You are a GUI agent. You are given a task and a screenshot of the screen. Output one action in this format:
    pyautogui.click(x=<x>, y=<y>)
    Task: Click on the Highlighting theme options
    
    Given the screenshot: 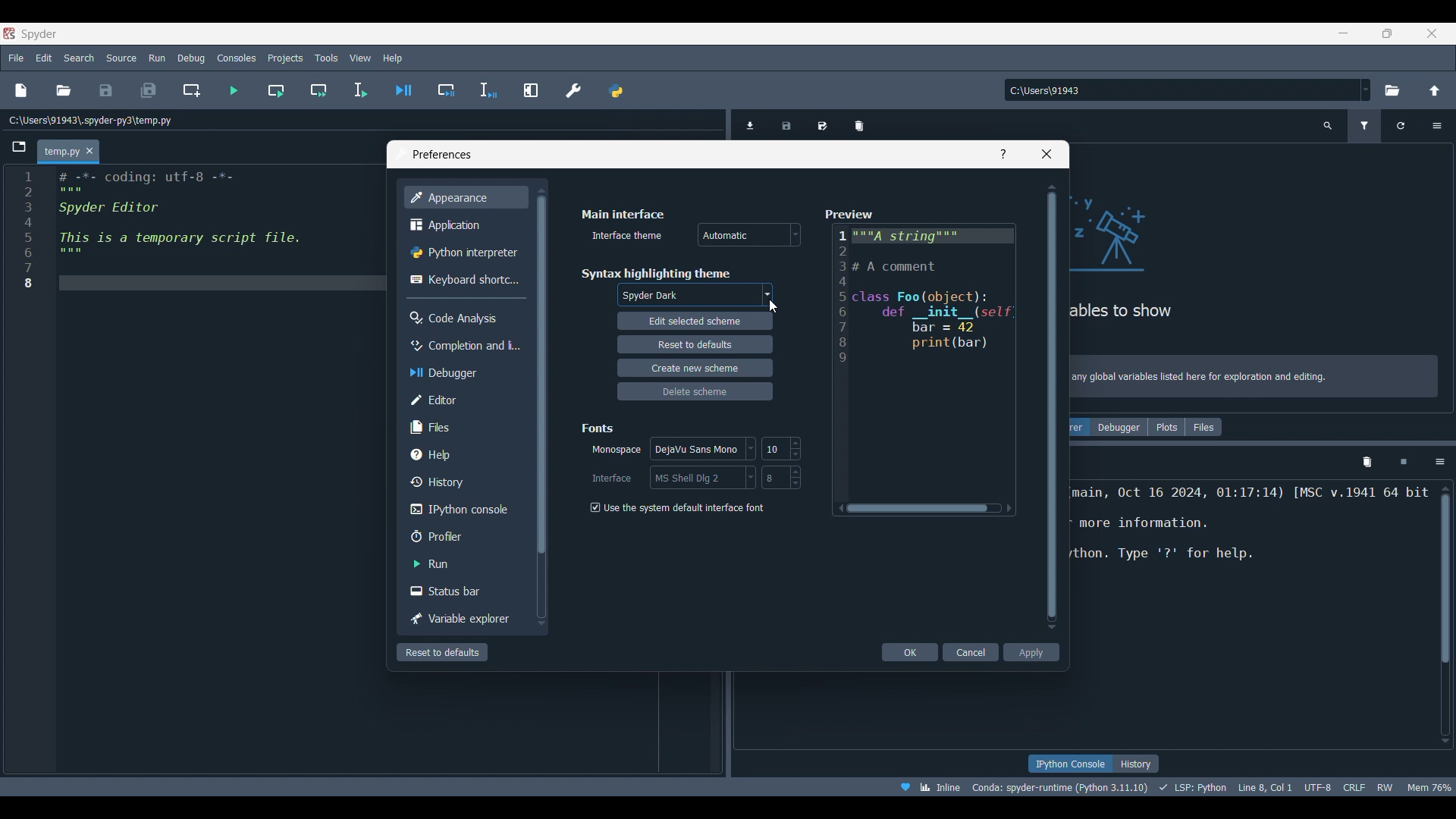 What is the action you would take?
    pyautogui.click(x=695, y=296)
    